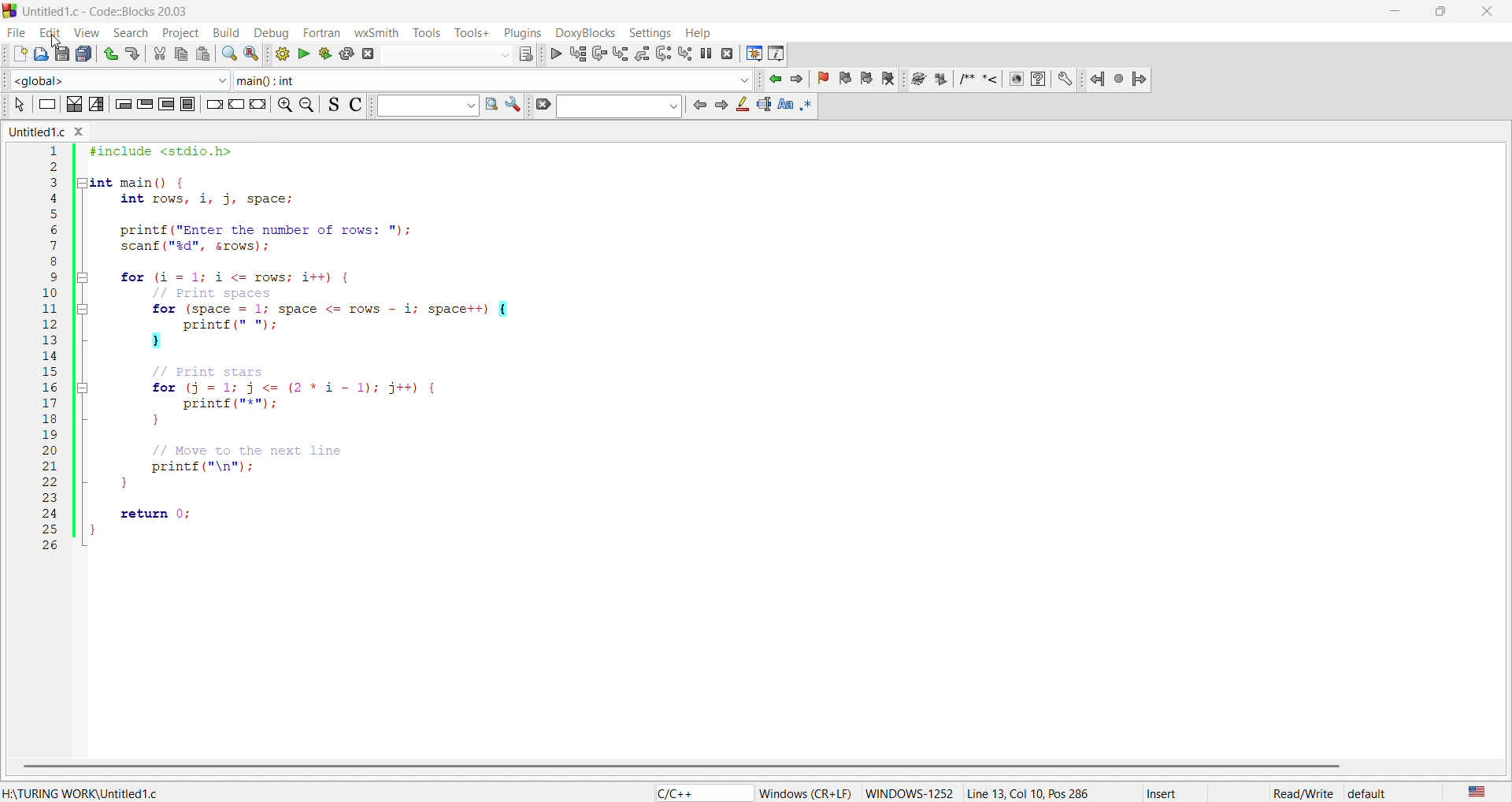 Image resolution: width=1512 pixels, height=802 pixels. I want to click on zoom i, so click(282, 105).